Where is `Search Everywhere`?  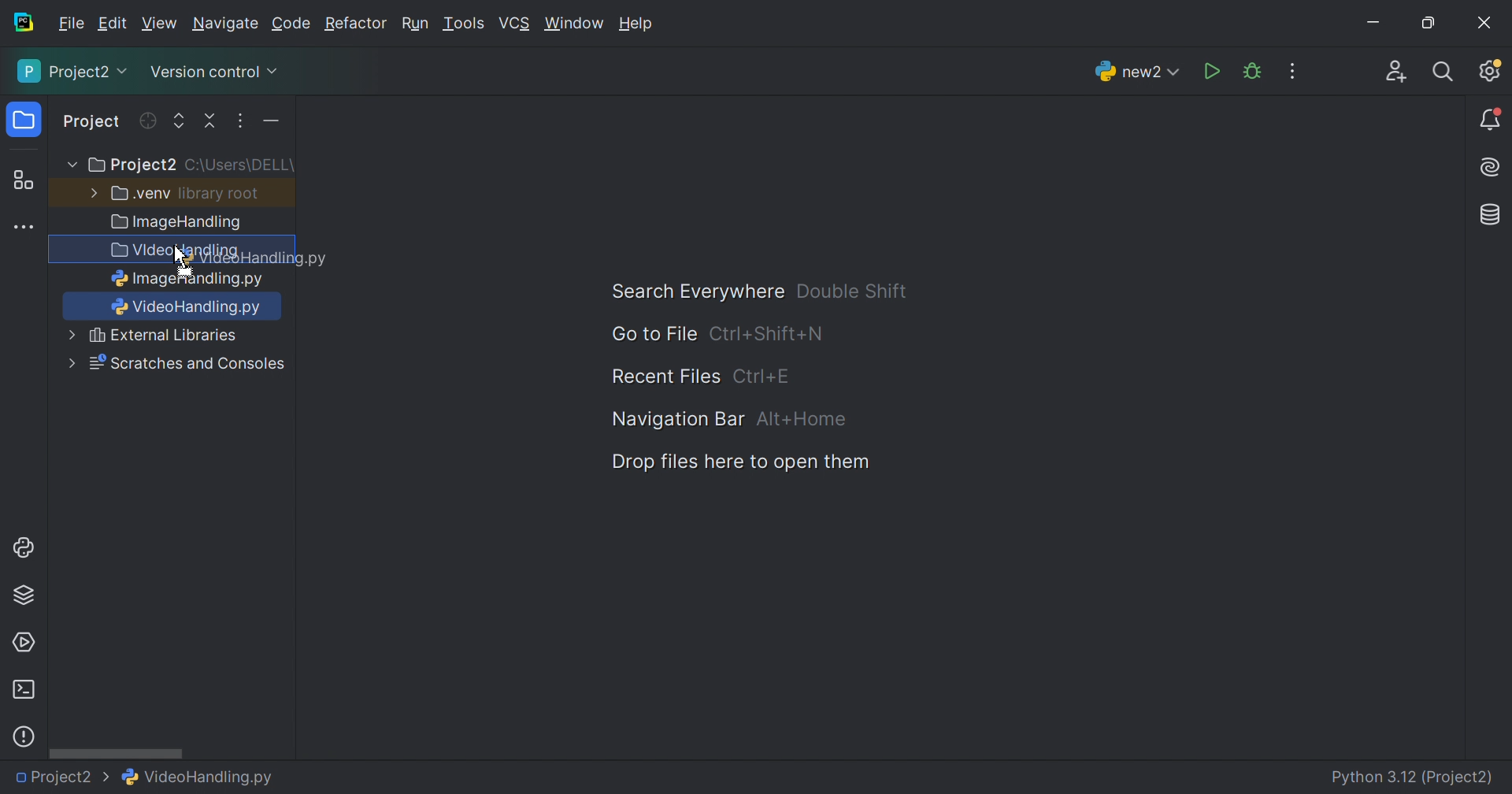 Search Everywhere is located at coordinates (690, 292).